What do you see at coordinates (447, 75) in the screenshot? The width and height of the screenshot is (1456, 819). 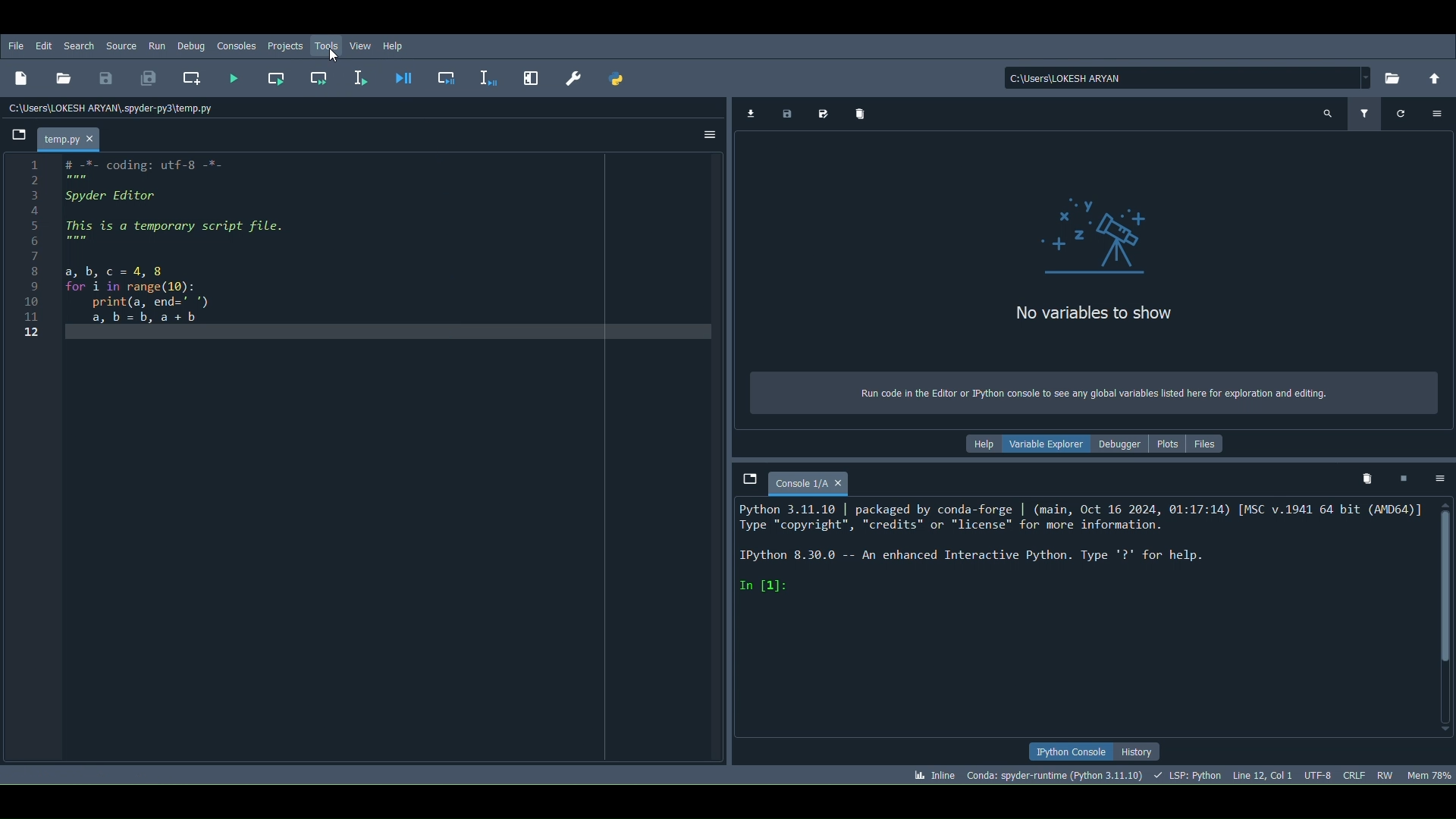 I see `Debug cell` at bounding box center [447, 75].